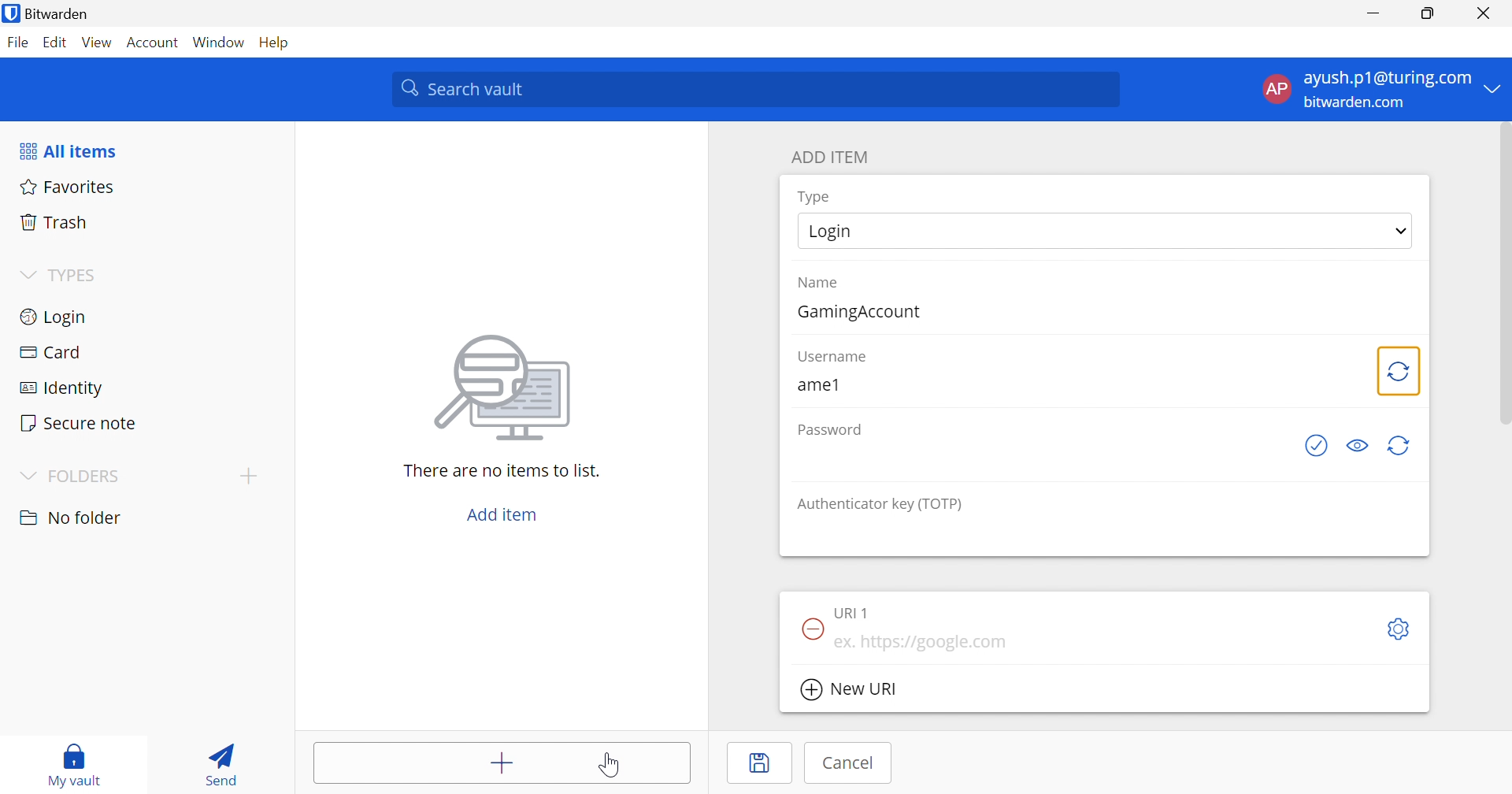  I want to click on Trash, so click(59, 224).